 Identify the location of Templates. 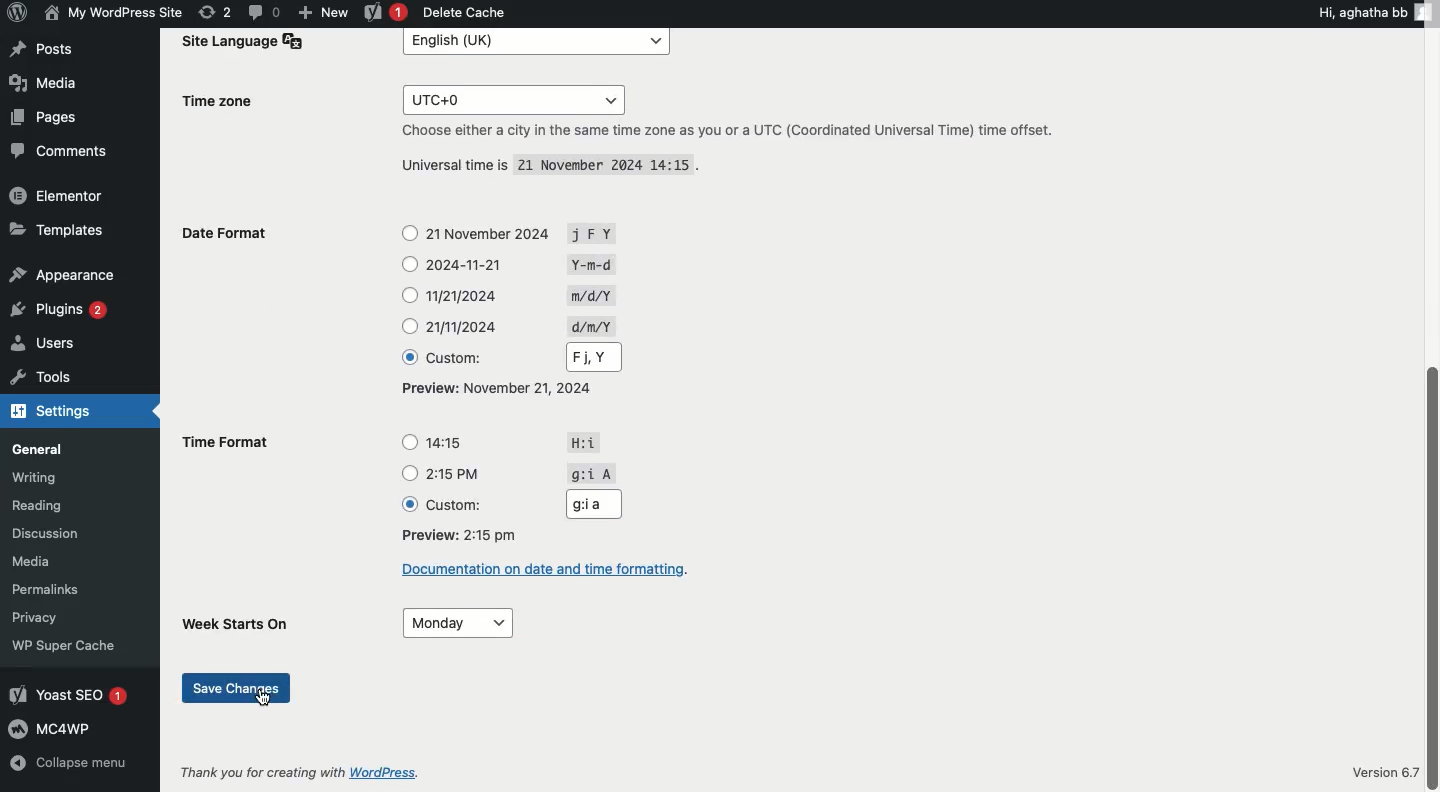
(54, 231).